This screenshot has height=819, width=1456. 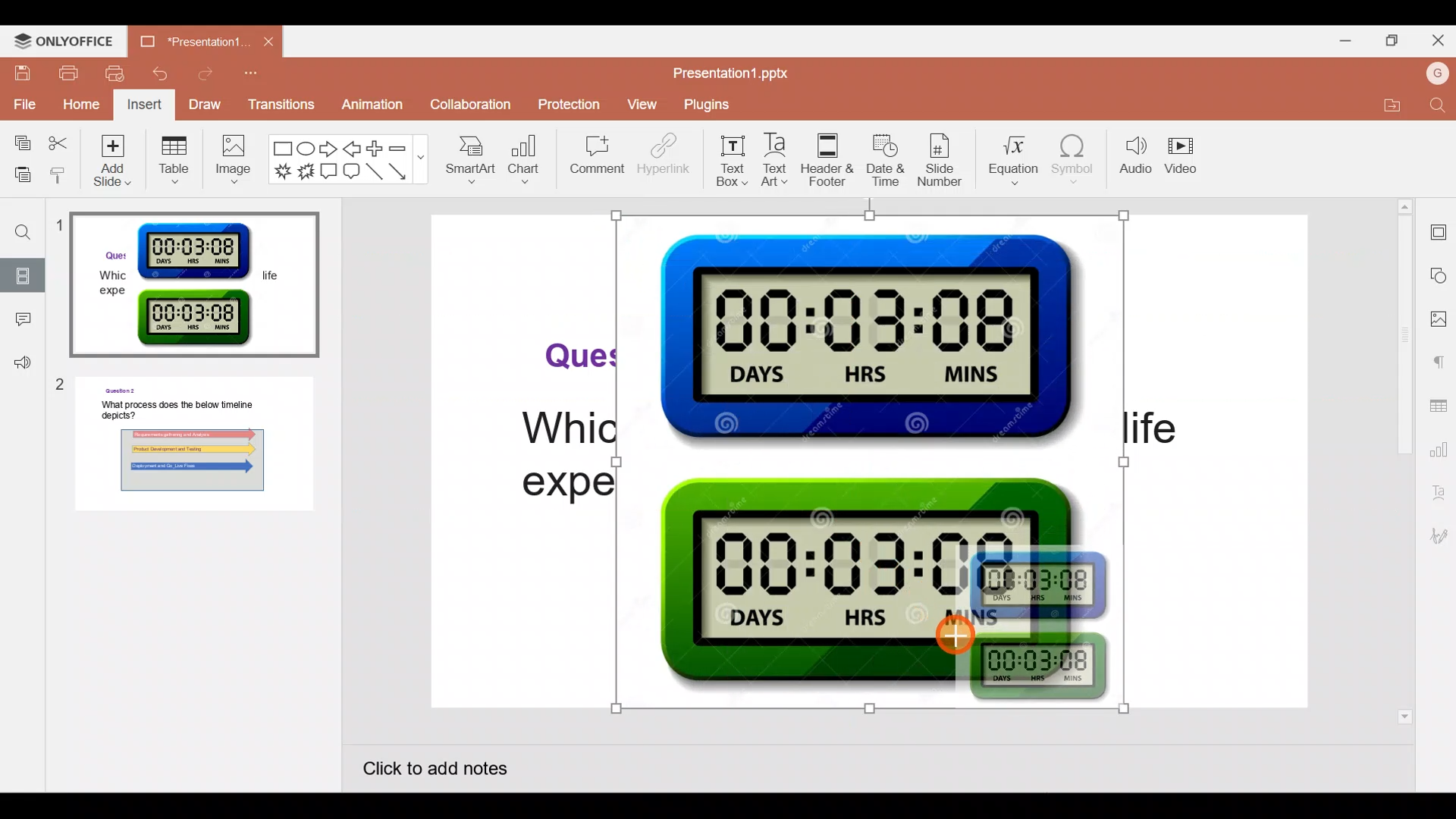 What do you see at coordinates (642, 106) in the screenshot?
I see `View` at bounding box center [642, 106].